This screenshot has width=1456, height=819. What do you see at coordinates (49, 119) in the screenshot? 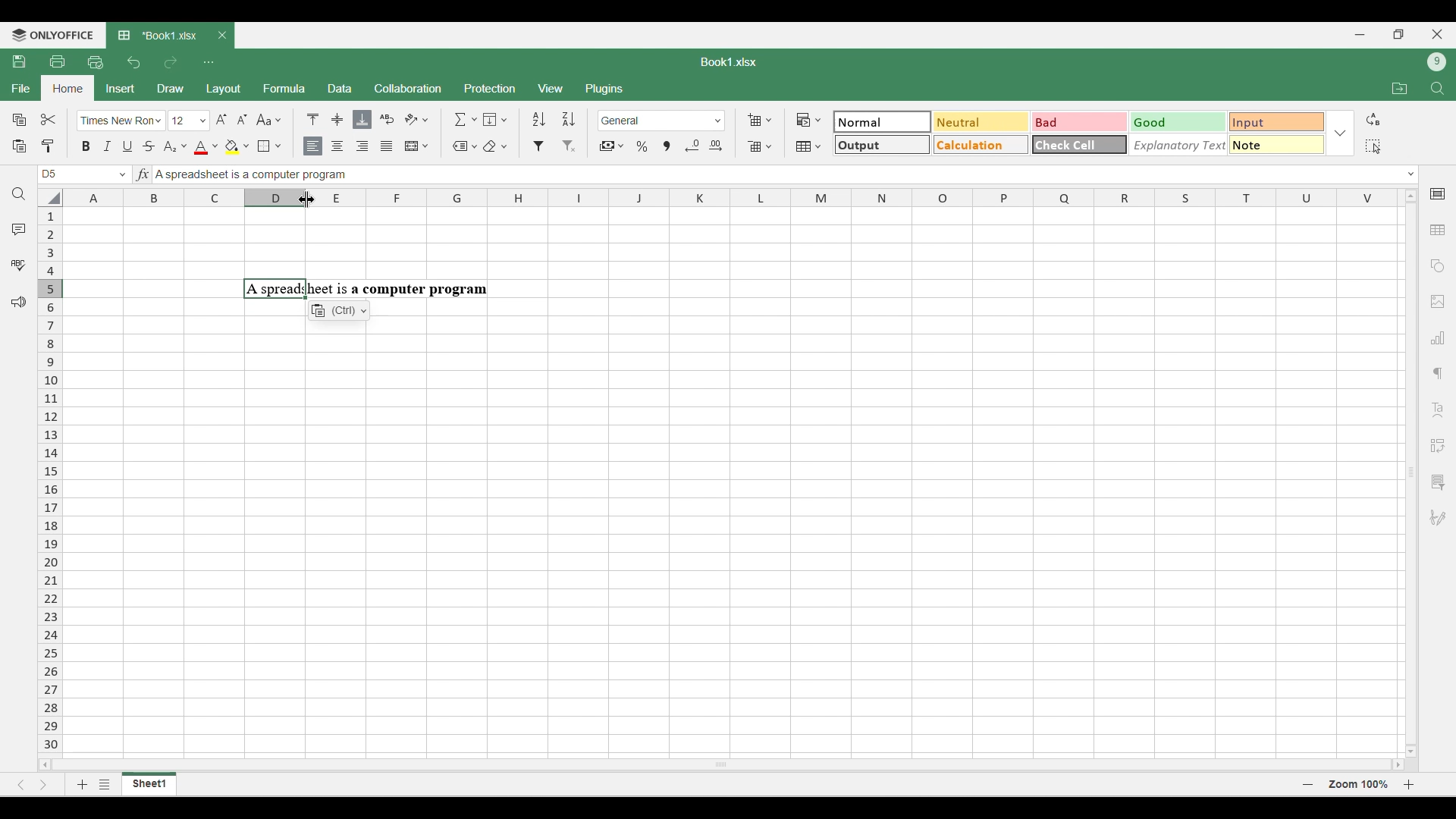
I see `Cut` at bounding box center [49, 119].